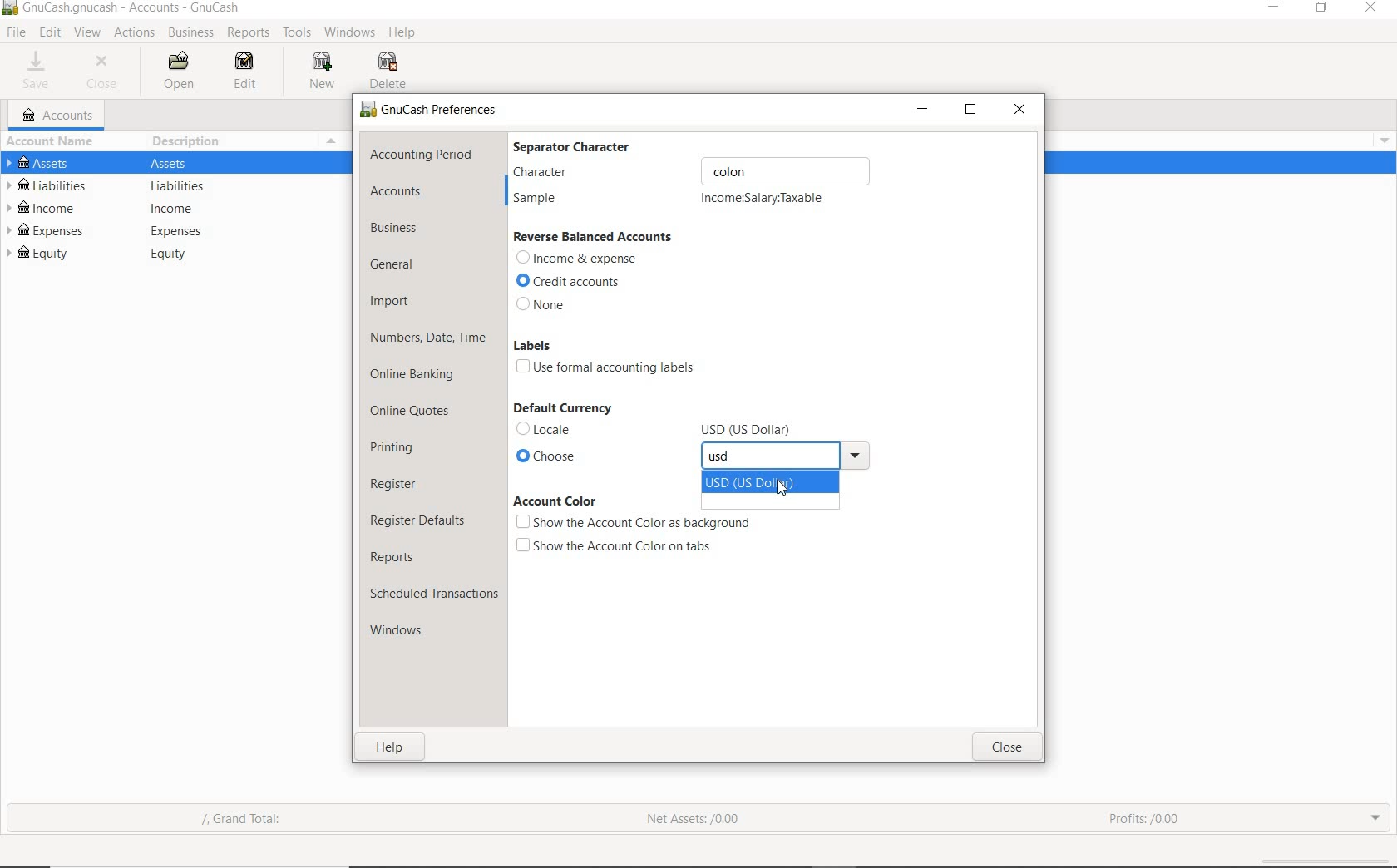  Describe the element at coordinates (87, 31) in the screenshot. I see `VIEW` at that location.